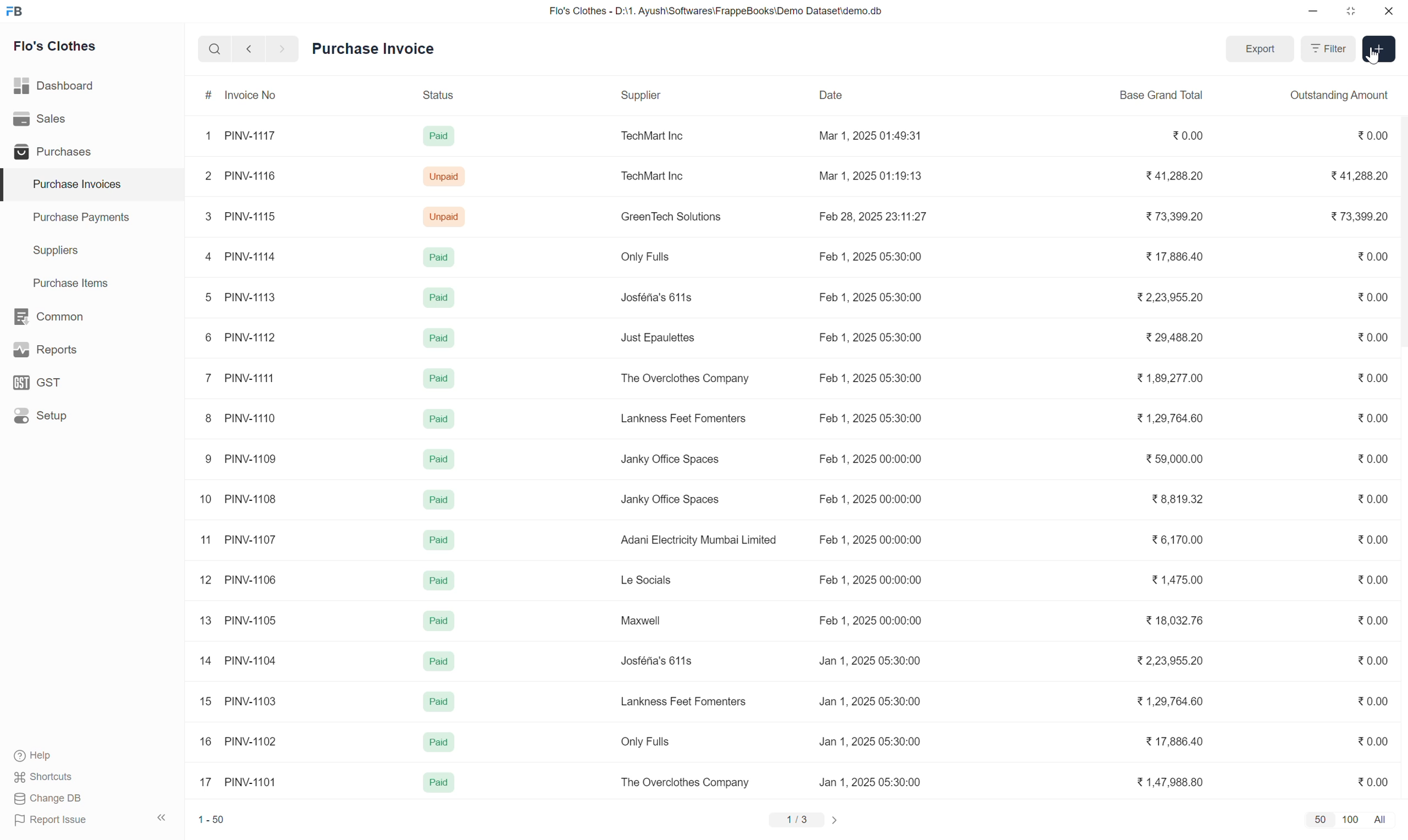  I want to click on Suppliers, so click(92, 251).